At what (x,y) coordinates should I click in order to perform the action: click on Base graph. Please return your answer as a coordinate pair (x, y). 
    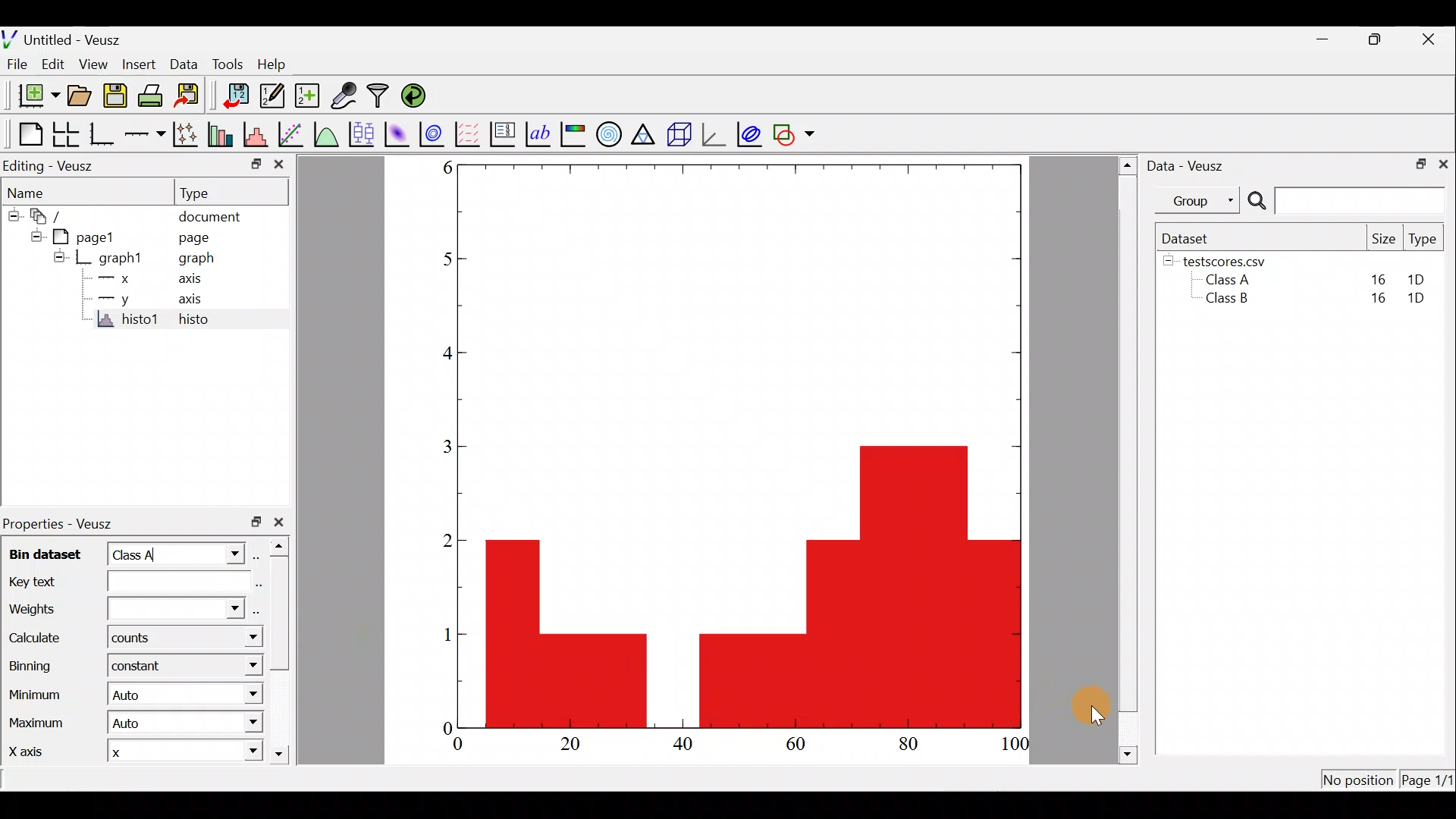
    Looking at the image, I should click on (102, 132).